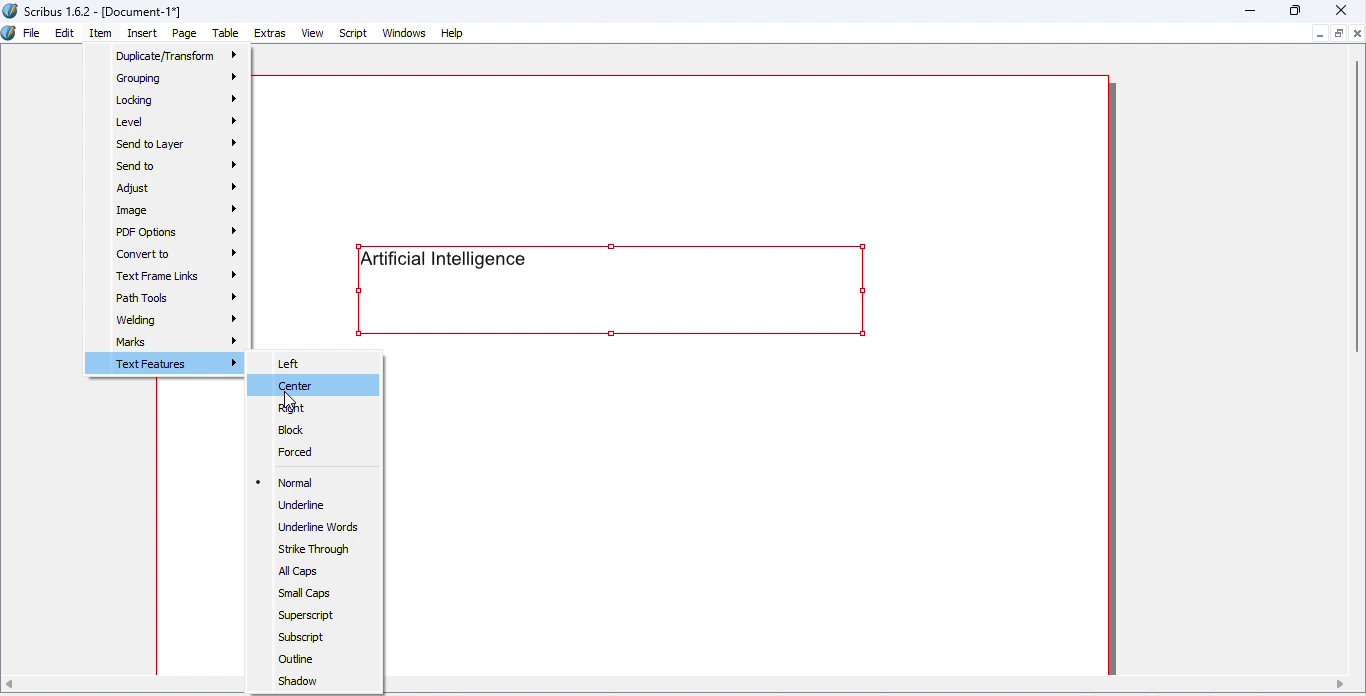 The height and width of the screenshot is (696, 1366). I want to click on Maximize, so click(1339, 35).